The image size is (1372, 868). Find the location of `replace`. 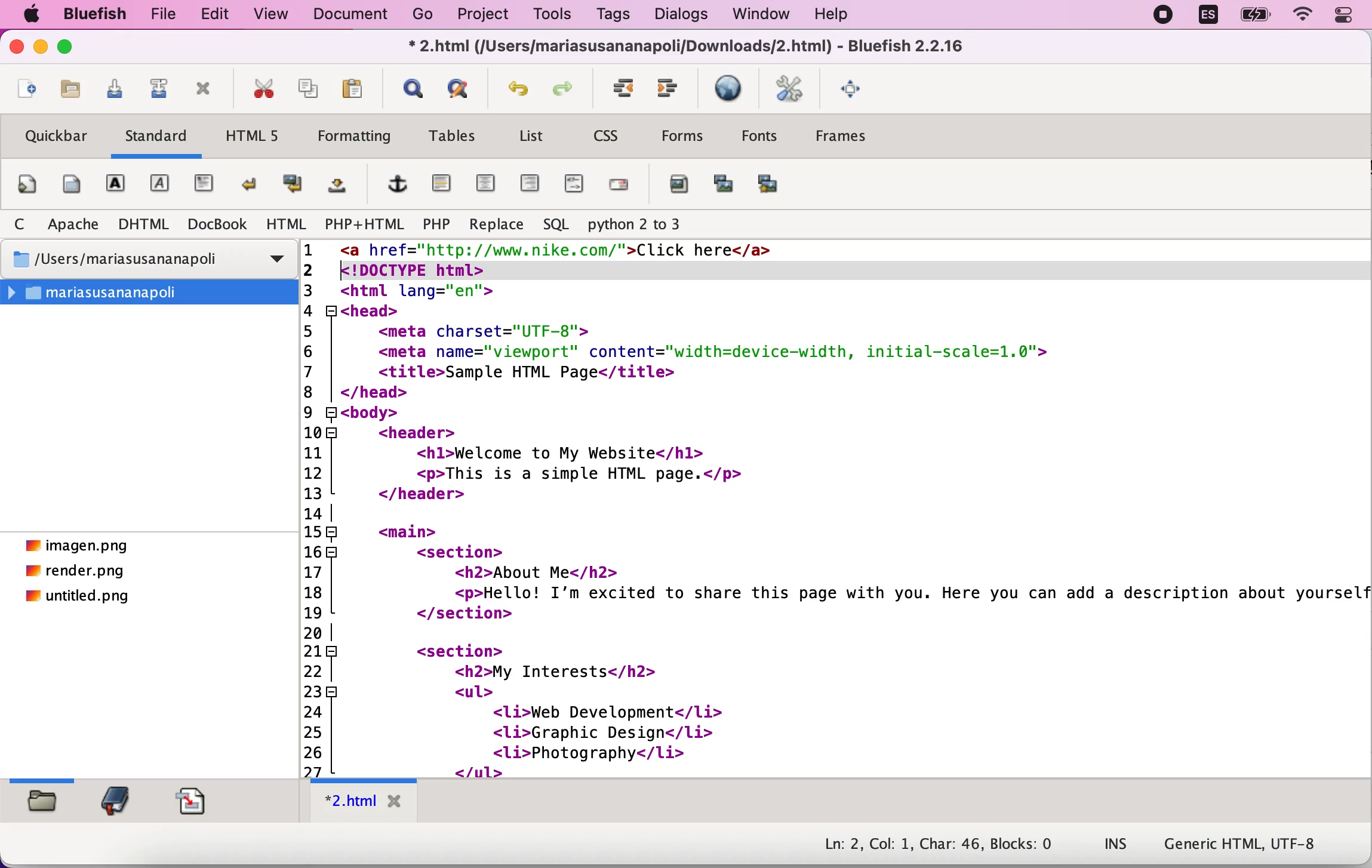

replace is located at coordinates (494, 224).